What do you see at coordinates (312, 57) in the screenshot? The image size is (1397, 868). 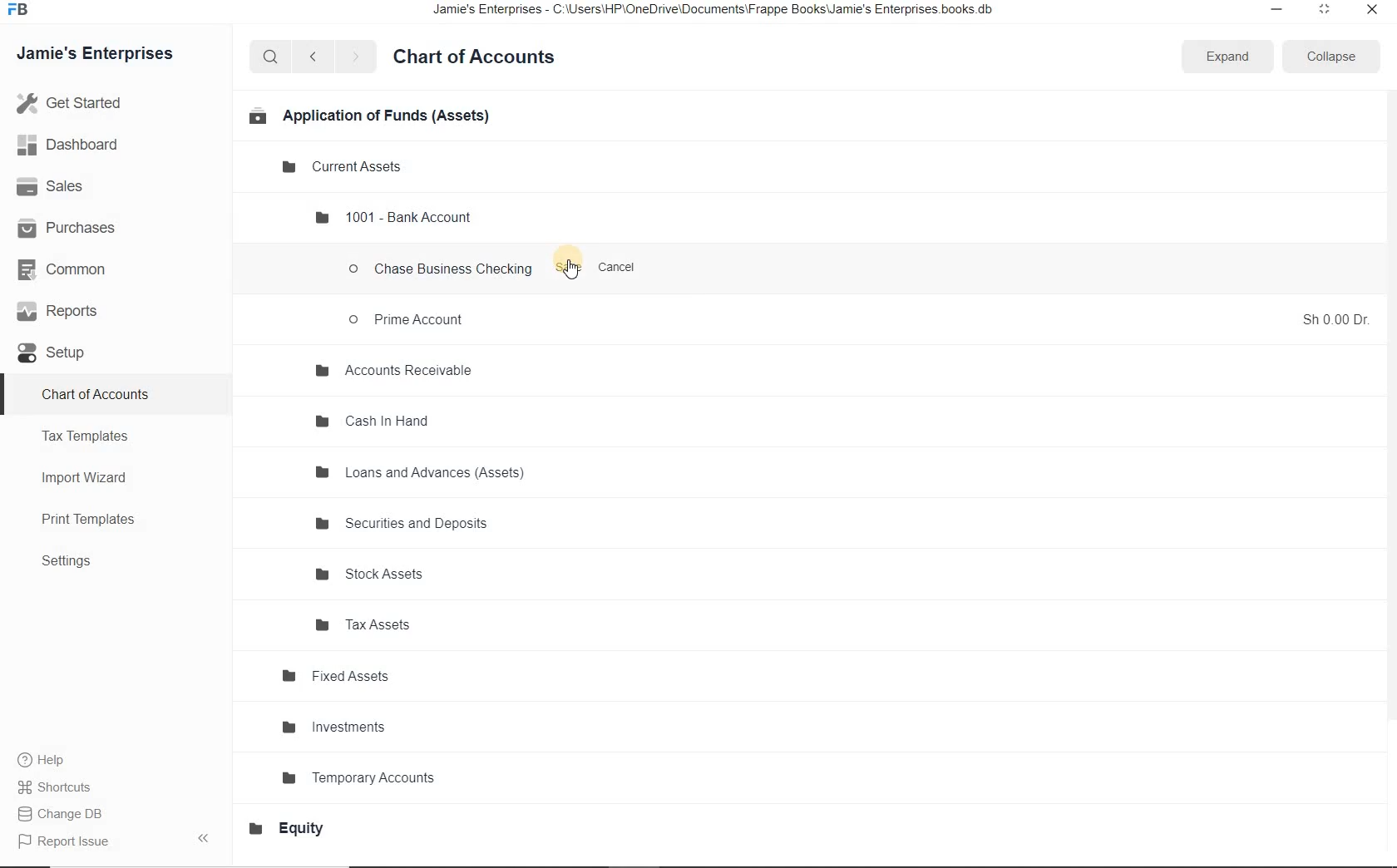 I see `backward` at bounding box center [312, 57].